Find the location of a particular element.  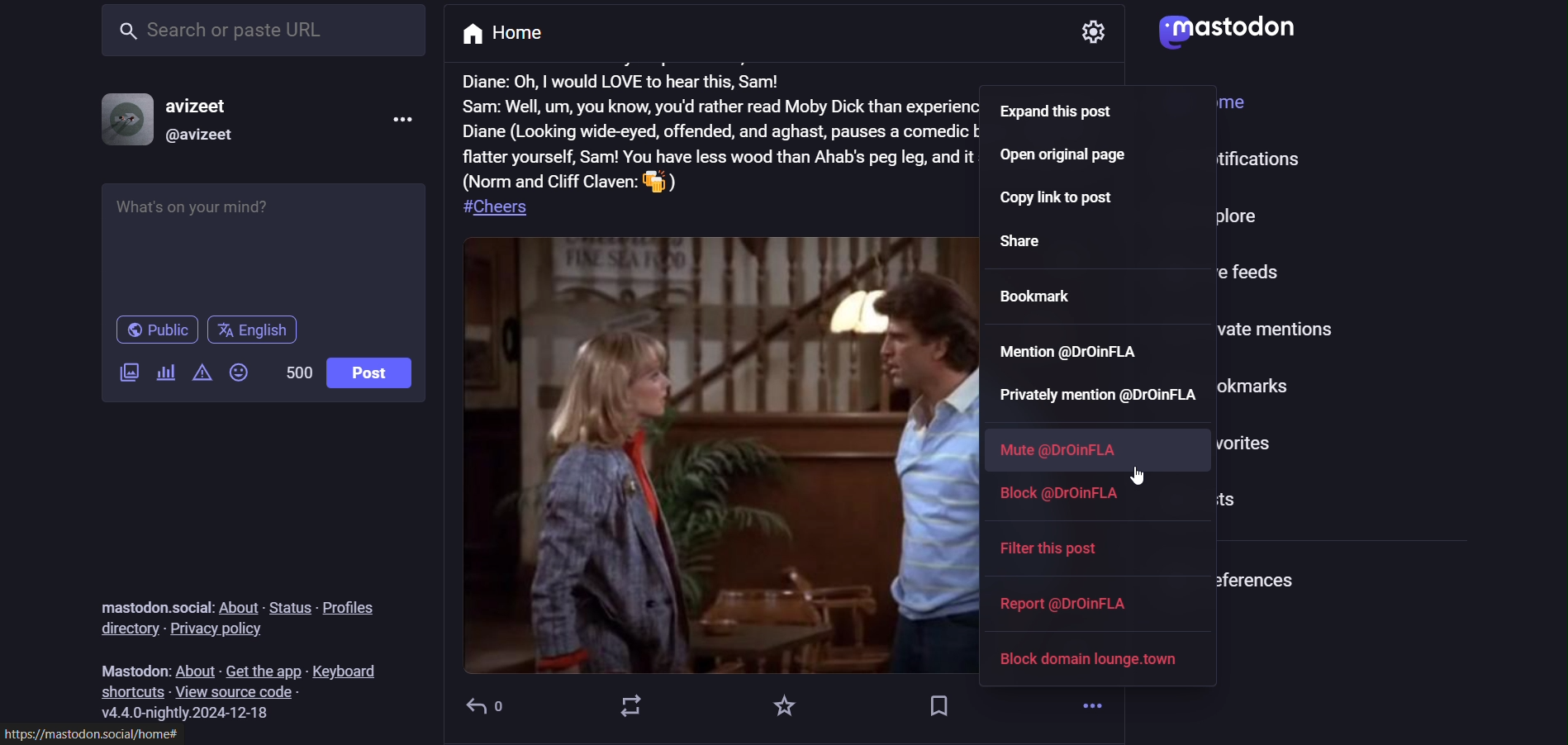

mute user is located at coordinates (1056, 449).